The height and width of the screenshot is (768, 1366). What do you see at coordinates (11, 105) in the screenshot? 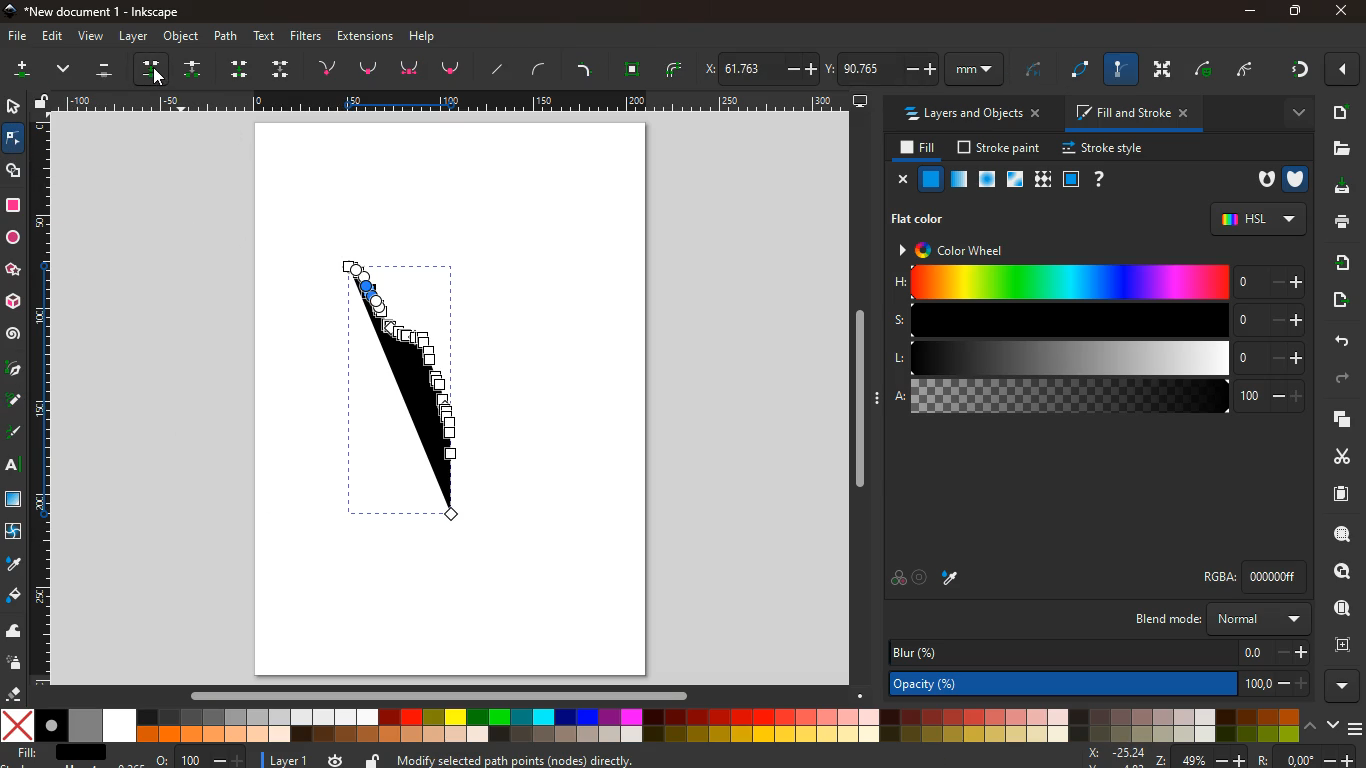
I see `select` at bounding box center [11, 105].